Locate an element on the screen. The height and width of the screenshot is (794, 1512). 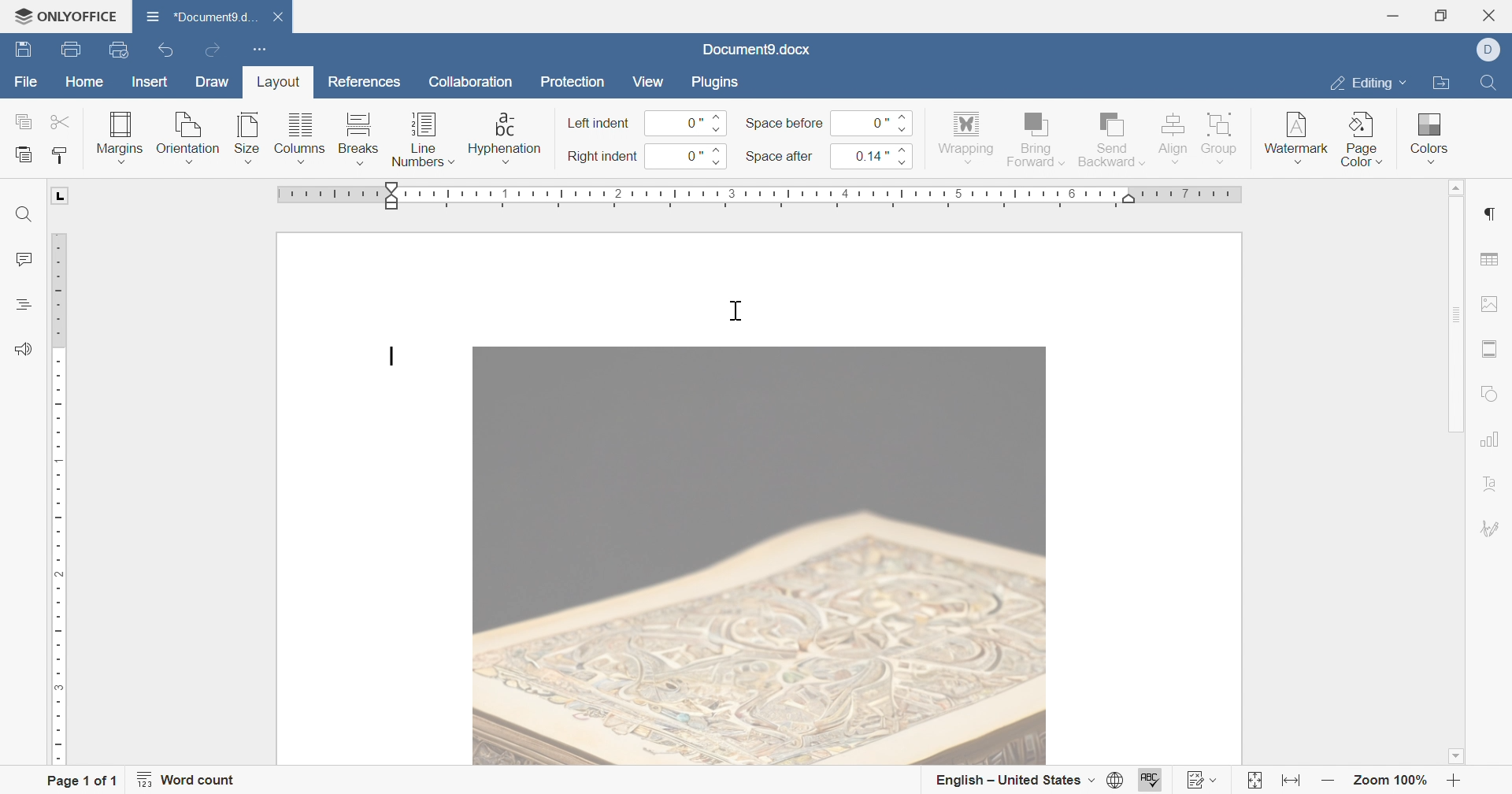
layout is located at coordinates (275, 85).